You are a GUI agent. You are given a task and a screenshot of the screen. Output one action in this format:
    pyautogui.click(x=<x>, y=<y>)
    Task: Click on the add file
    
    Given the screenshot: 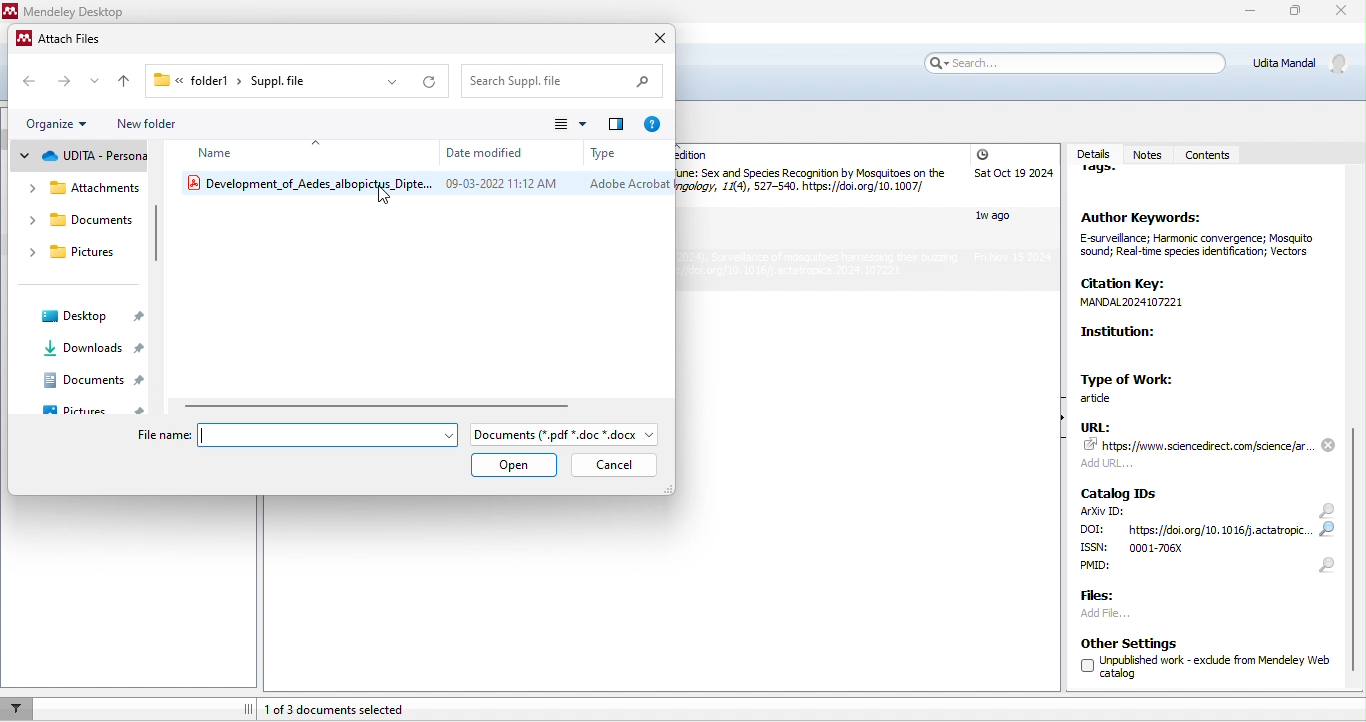 What is the action you would take?
    pyautogui.click(x=1131, y=616)
    